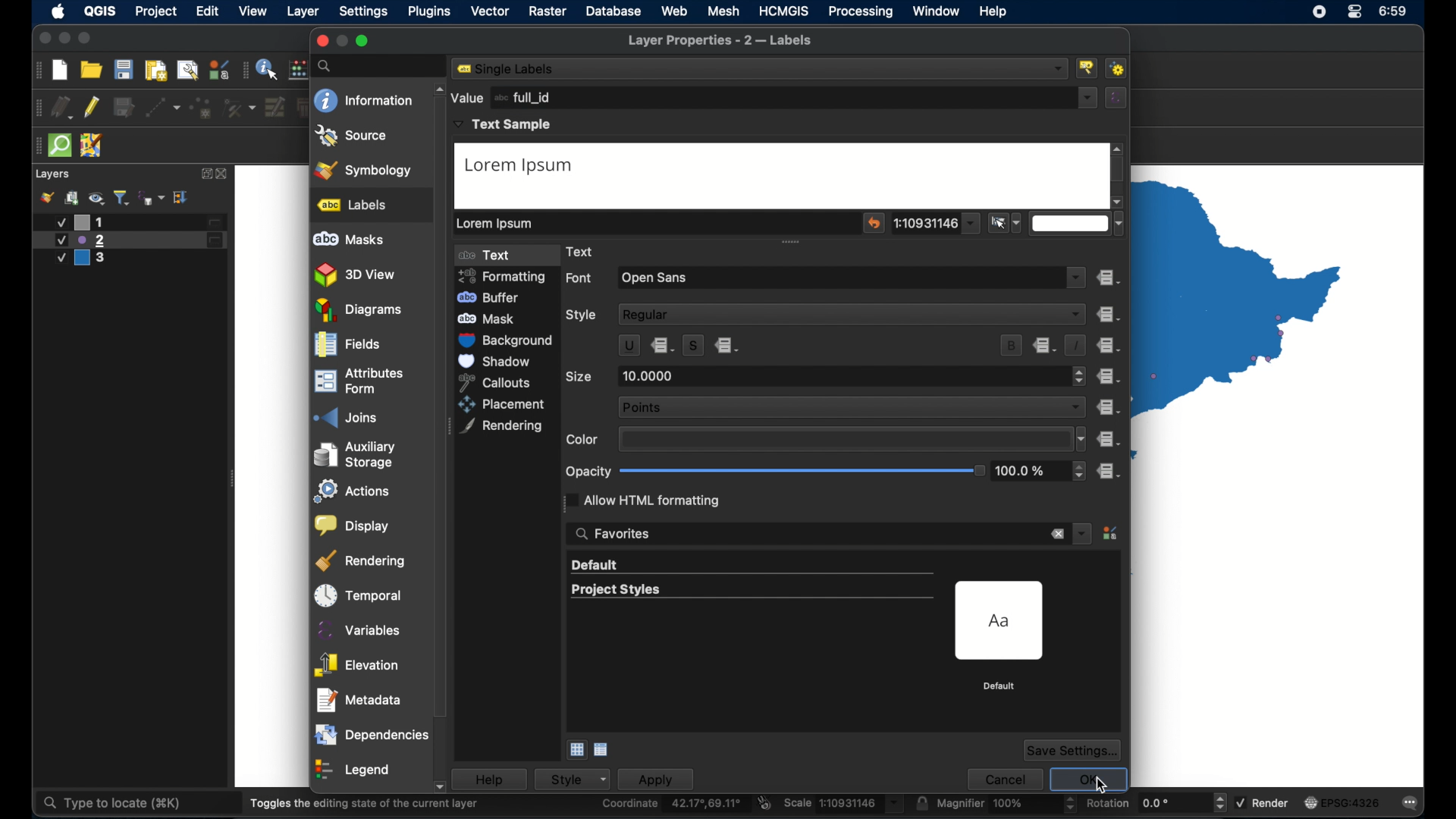 Image resolution: width=1456 pixels, height=819 pixels. I want to click on data defined override, so click(1110, 278).